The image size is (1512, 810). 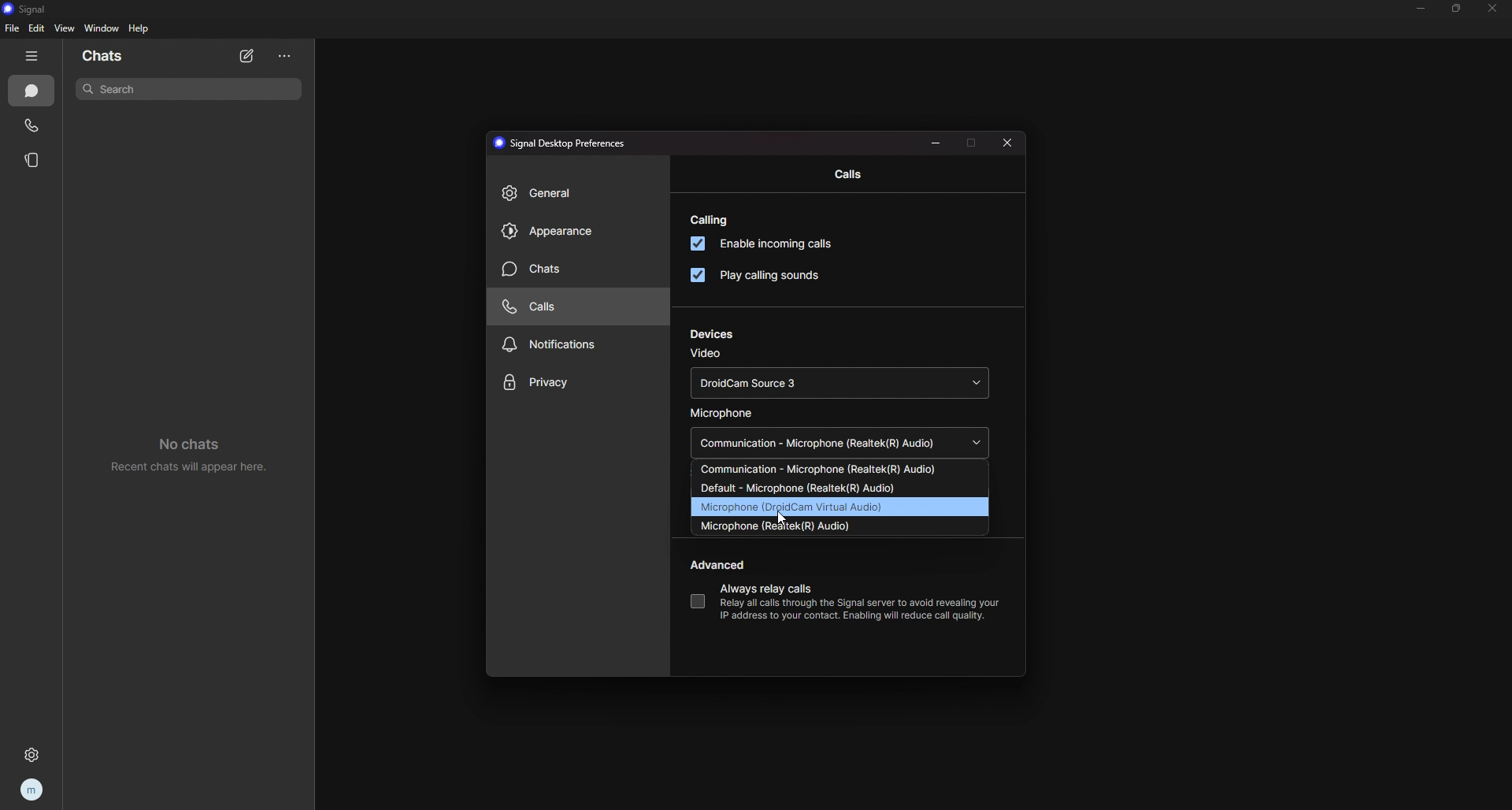 I want to click on hide tab, so click(x=32, y=56).